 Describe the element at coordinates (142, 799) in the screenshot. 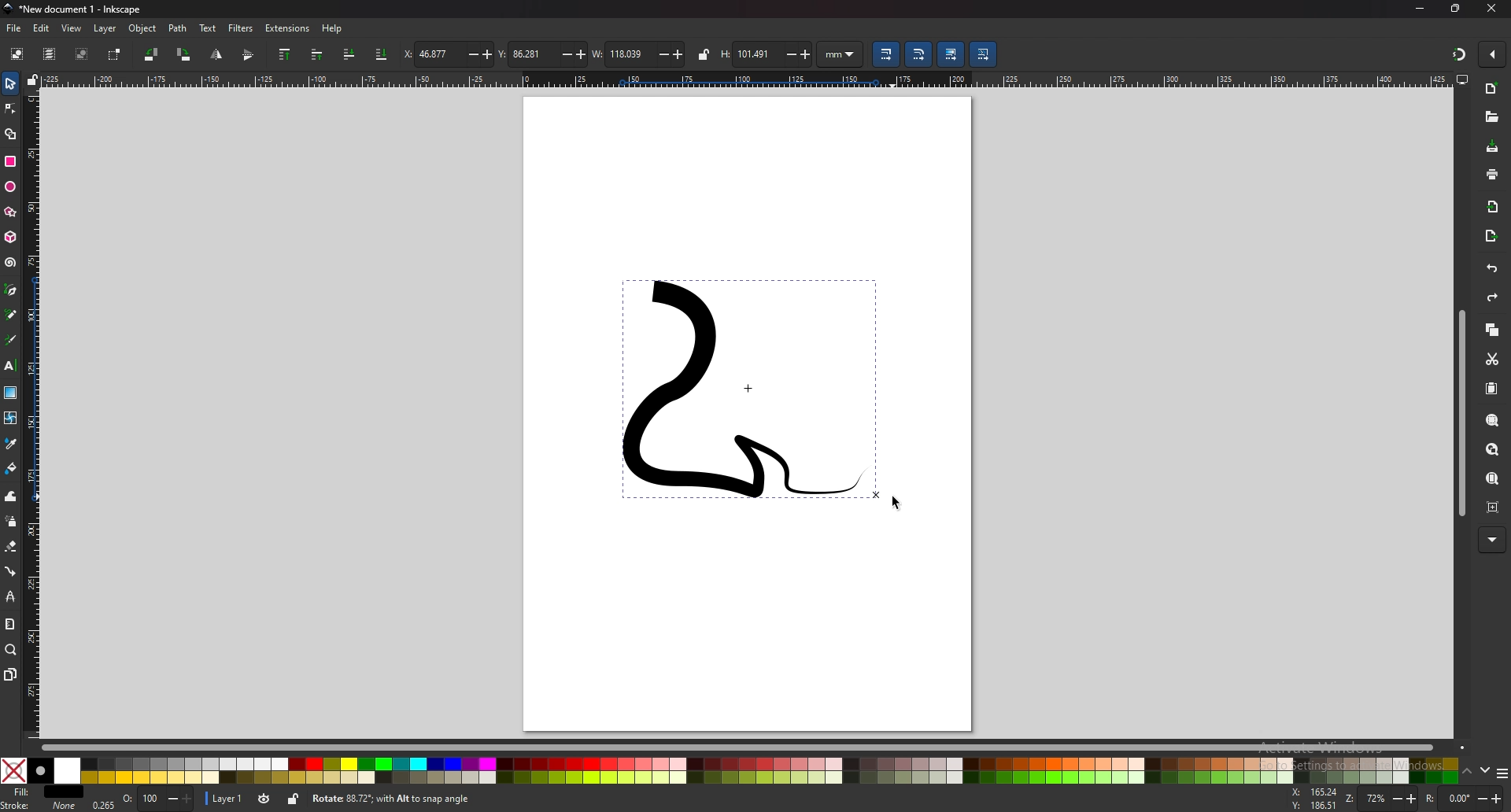

I see `opacity` at that location.